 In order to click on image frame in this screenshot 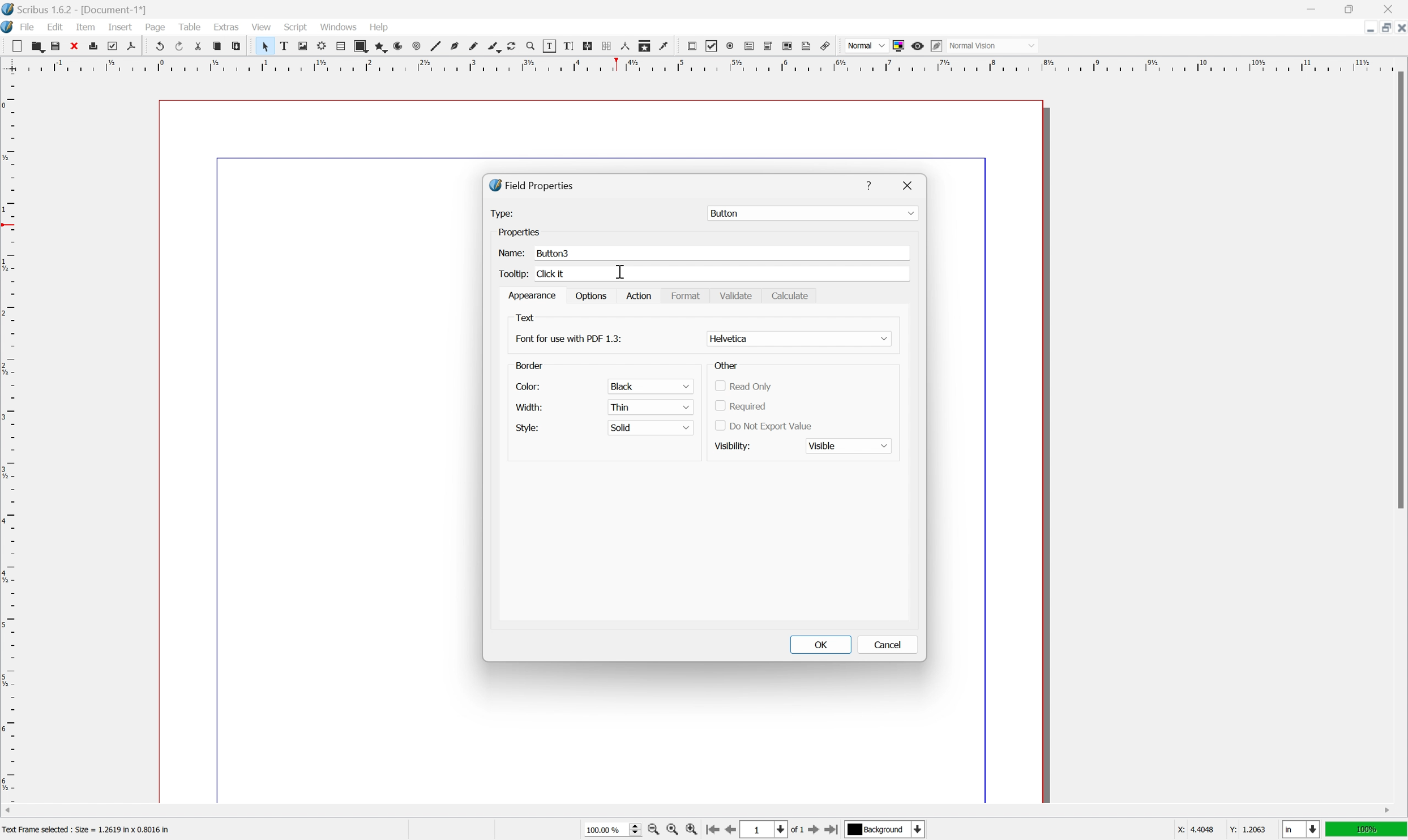, I will do `click(303, 46)`.